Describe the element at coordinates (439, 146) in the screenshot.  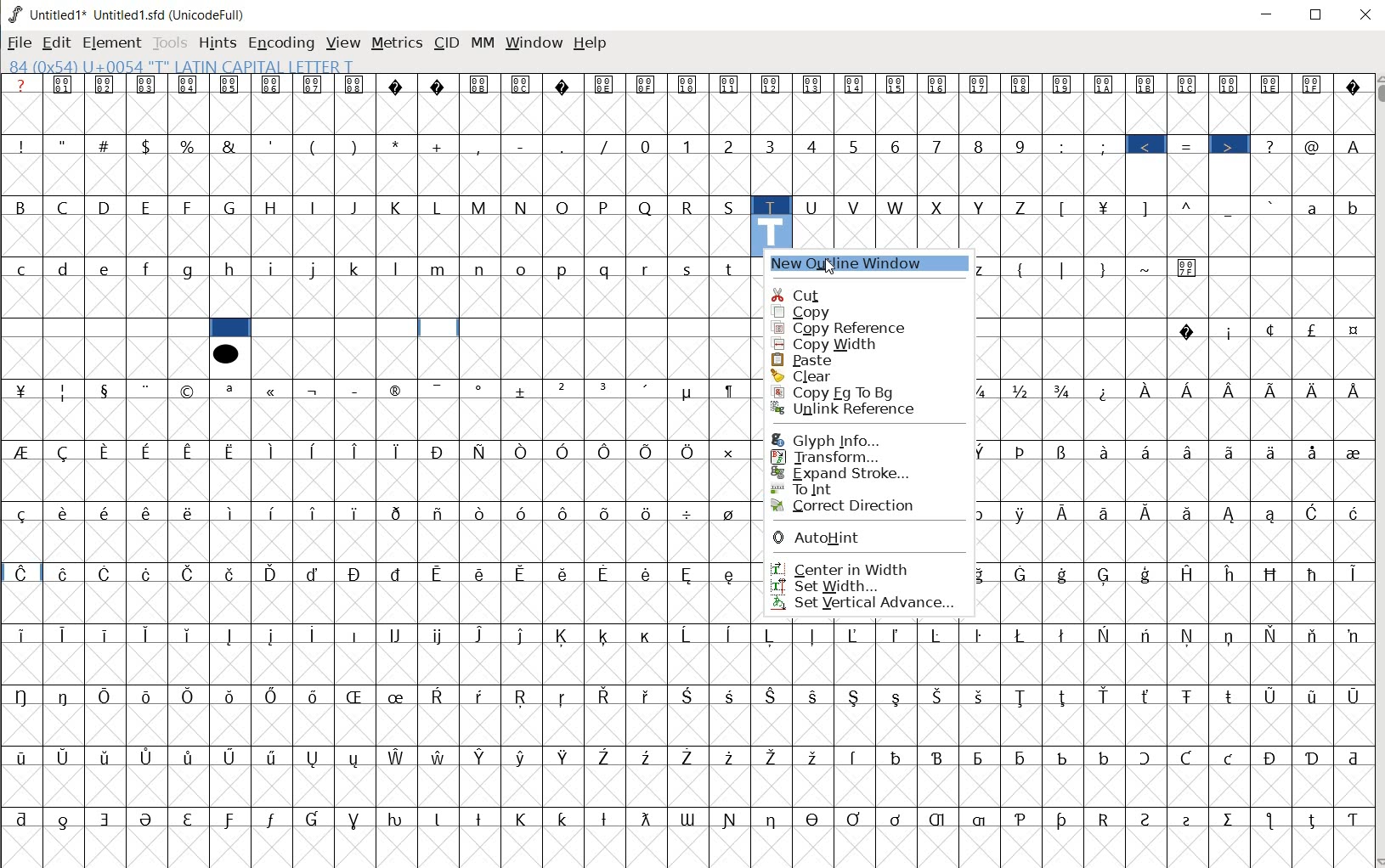
I see `+` at that location.